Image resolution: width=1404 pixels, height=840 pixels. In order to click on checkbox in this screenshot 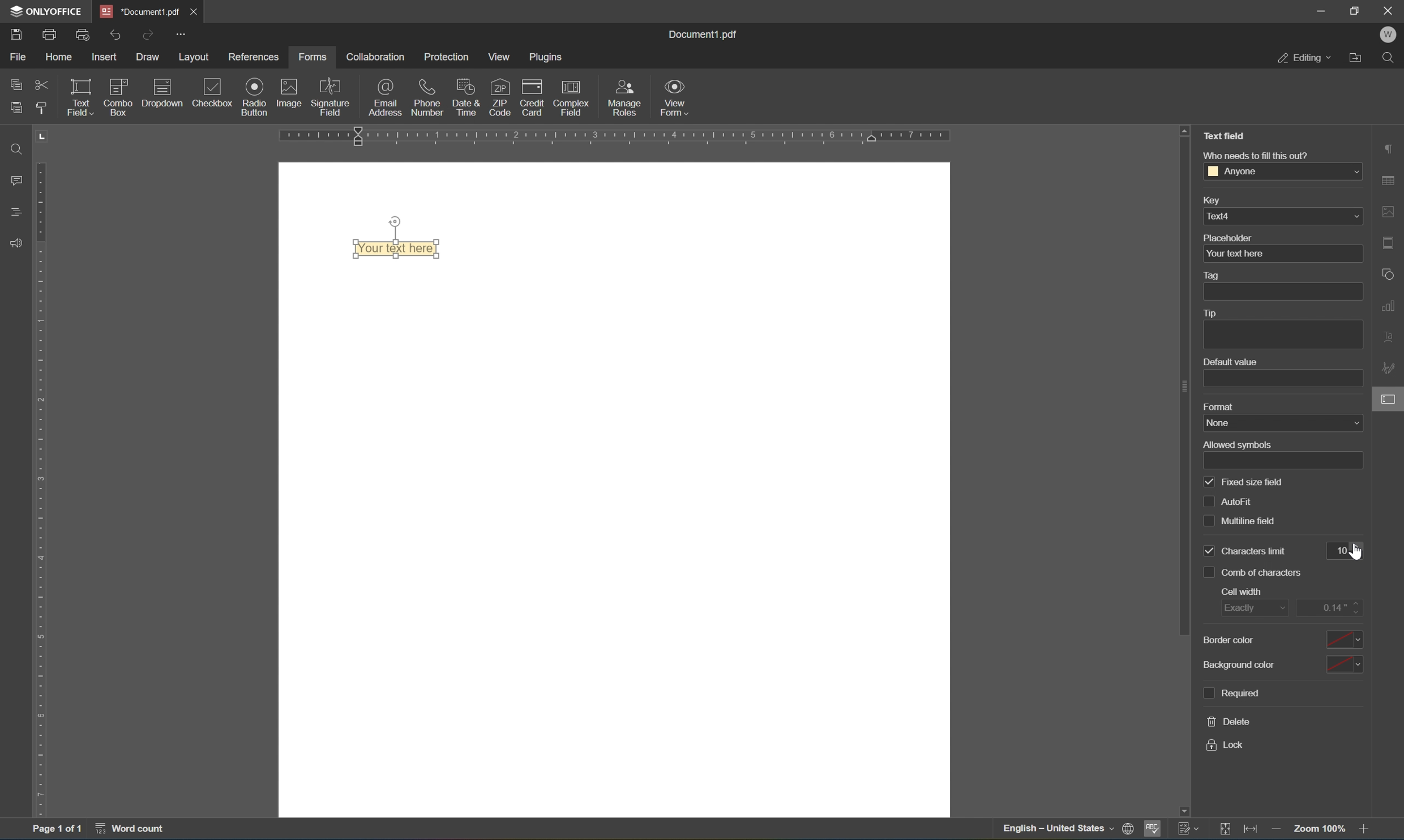, I will do `click(211, 95)`.